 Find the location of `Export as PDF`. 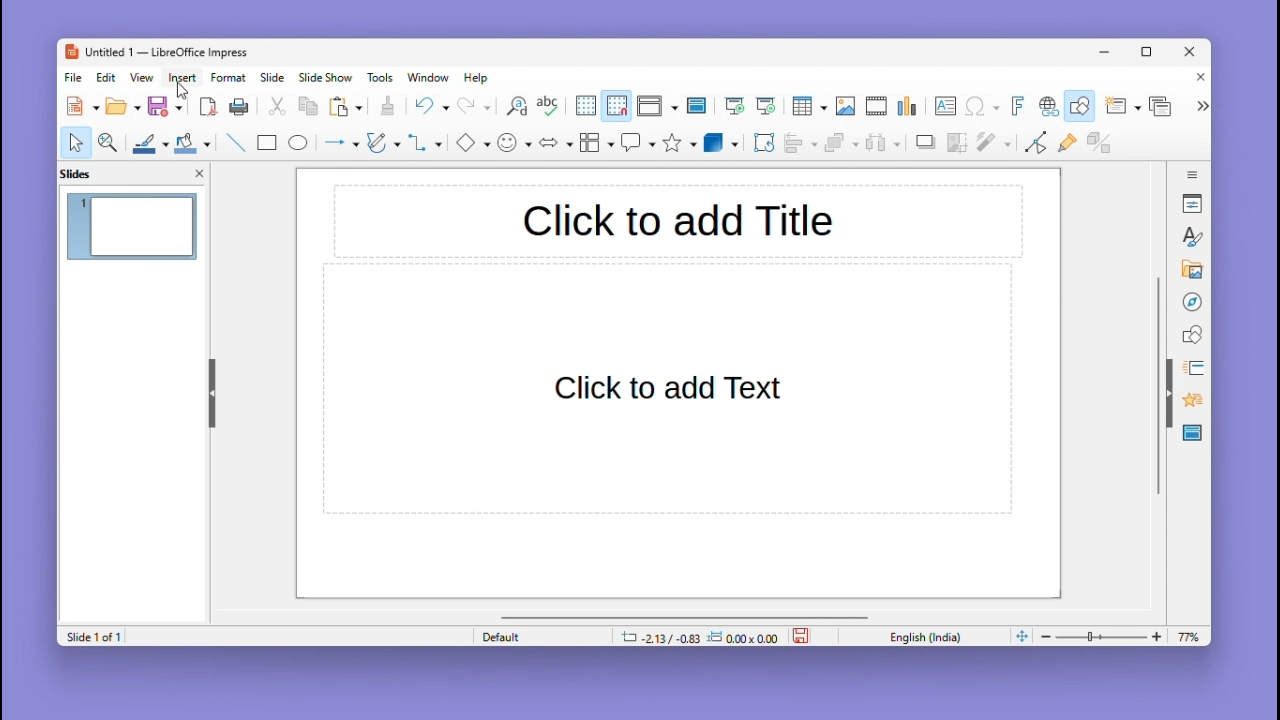

Export as PDF is located at coordinates (208, 108).